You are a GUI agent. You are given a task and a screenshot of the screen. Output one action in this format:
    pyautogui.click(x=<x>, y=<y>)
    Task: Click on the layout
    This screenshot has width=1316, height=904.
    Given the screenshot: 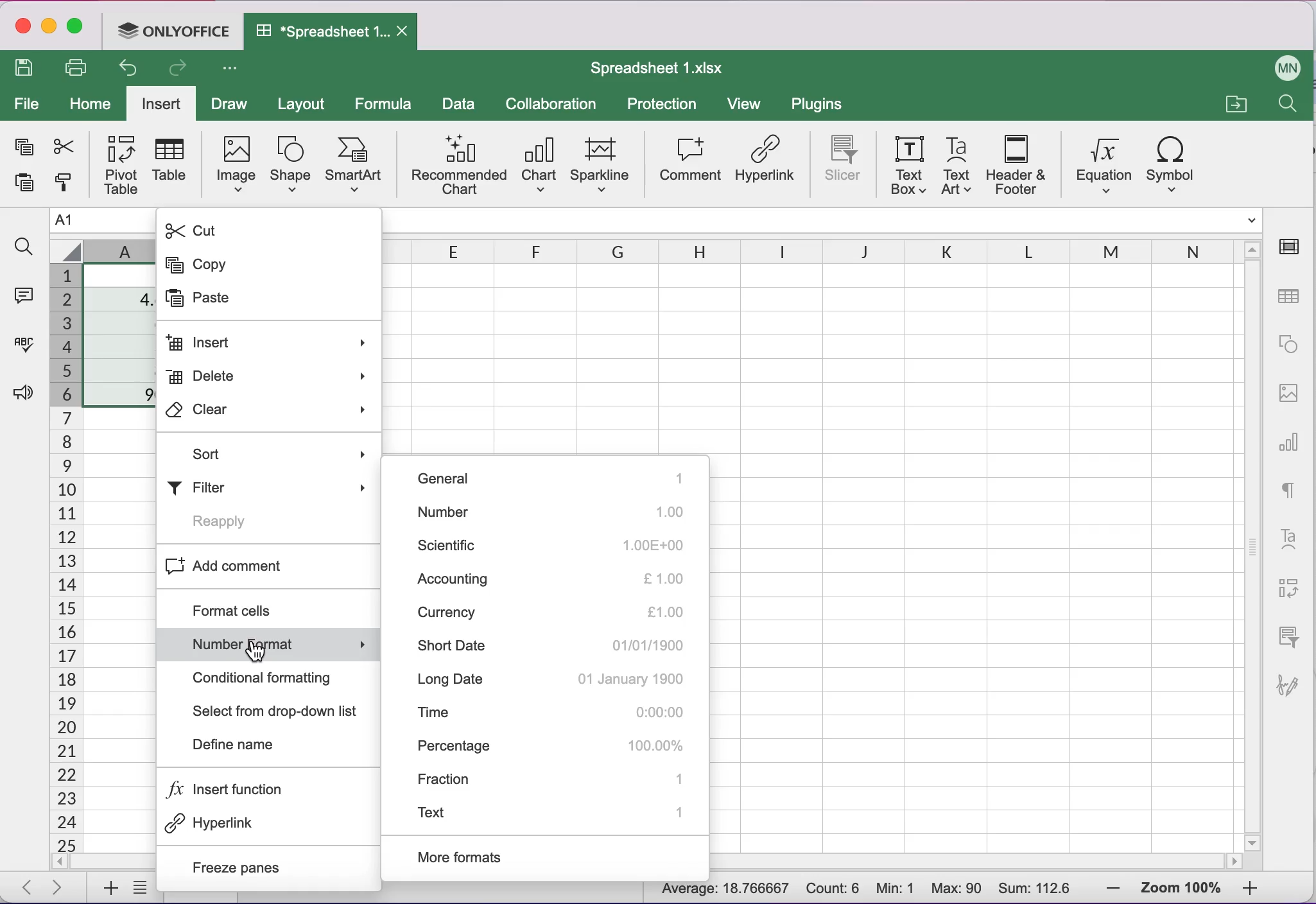 What is the action you would take?
    pyautogui.click(x=307, y=103)
    